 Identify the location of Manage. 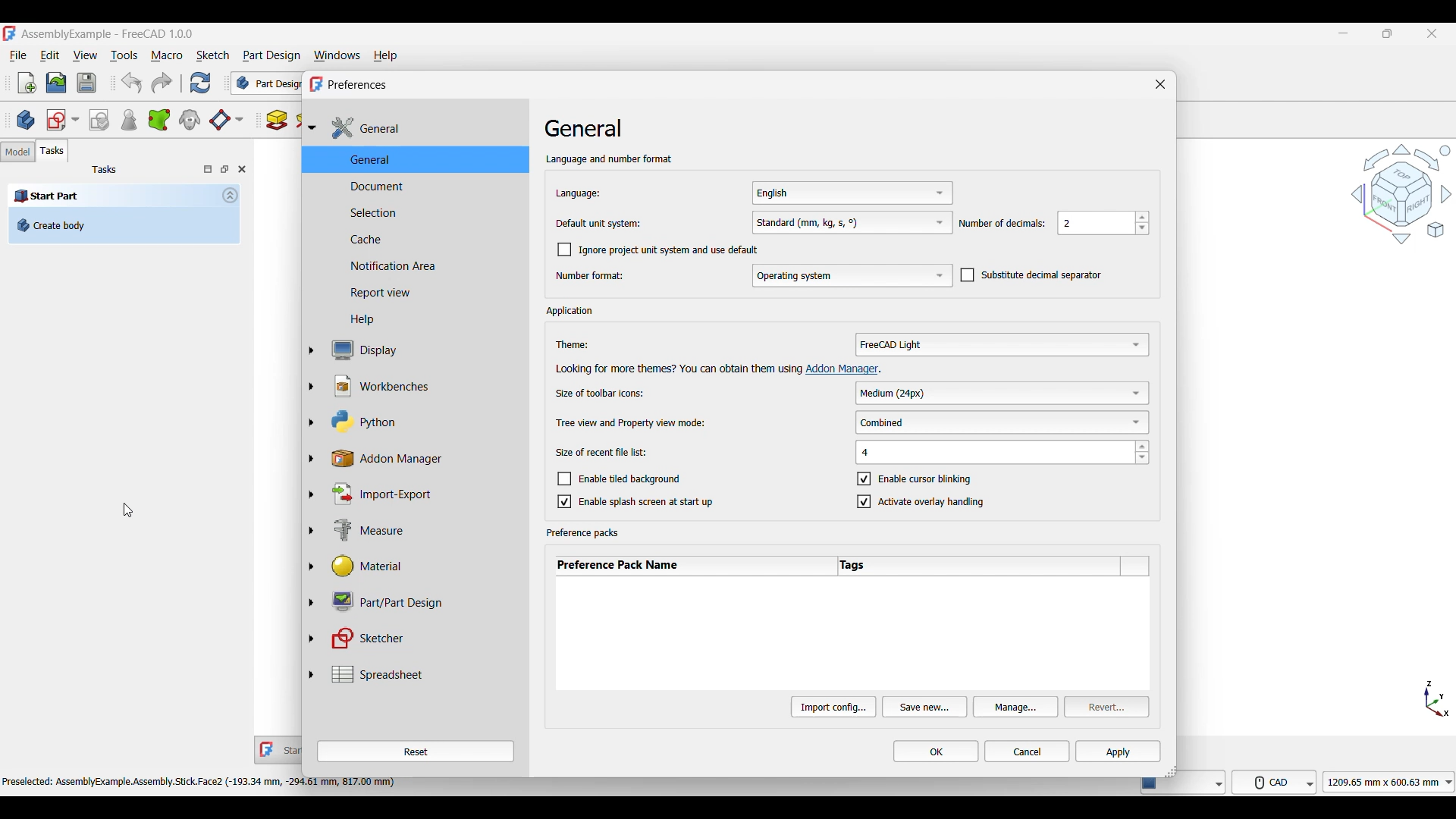
(1016, 707).